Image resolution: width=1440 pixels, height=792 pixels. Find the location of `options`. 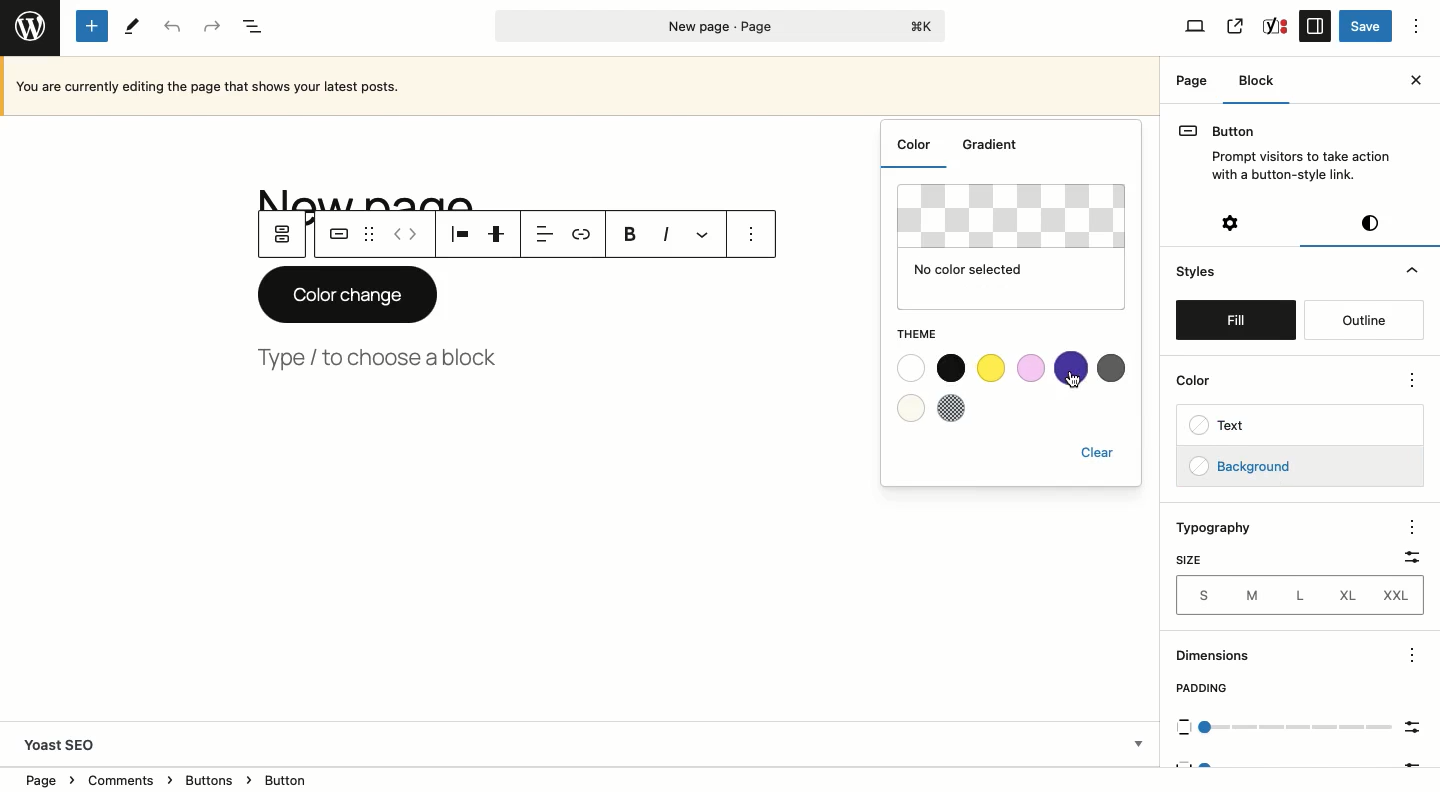

options is located at coordinates (1410, 656).